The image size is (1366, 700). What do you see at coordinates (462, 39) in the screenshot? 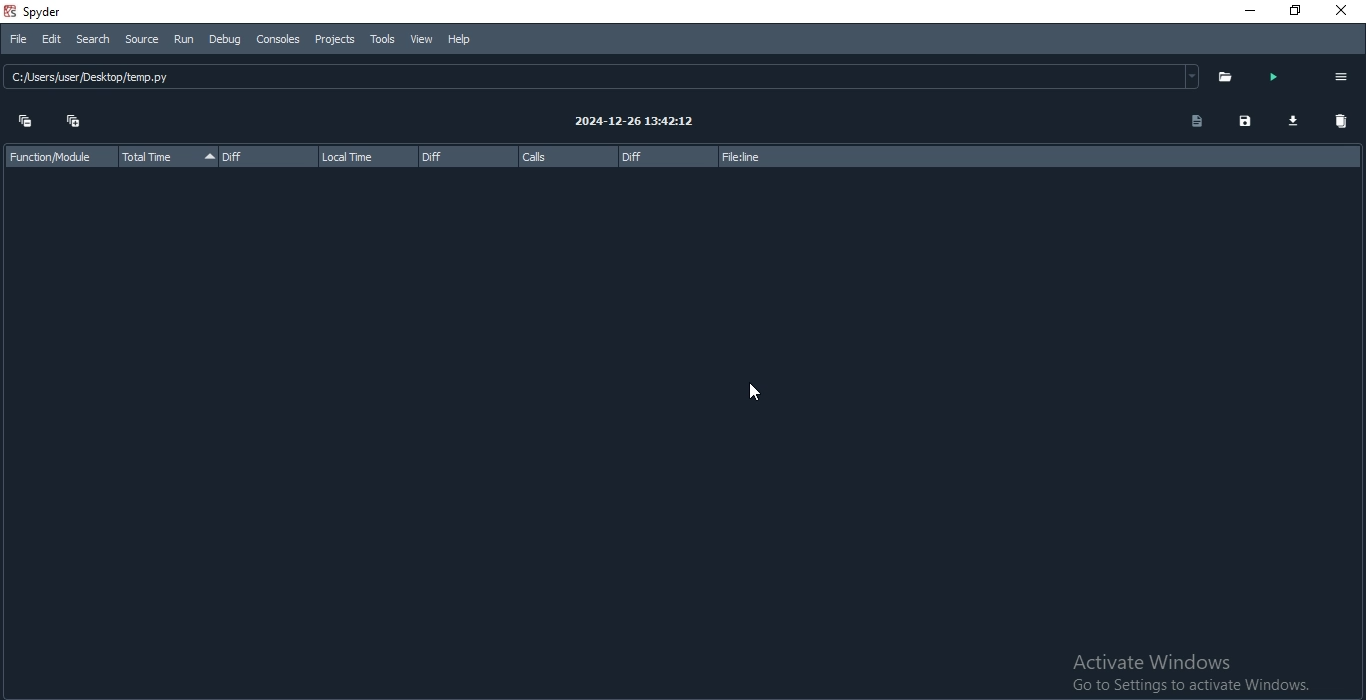
I see `Help` at bounding box center [462, 39].